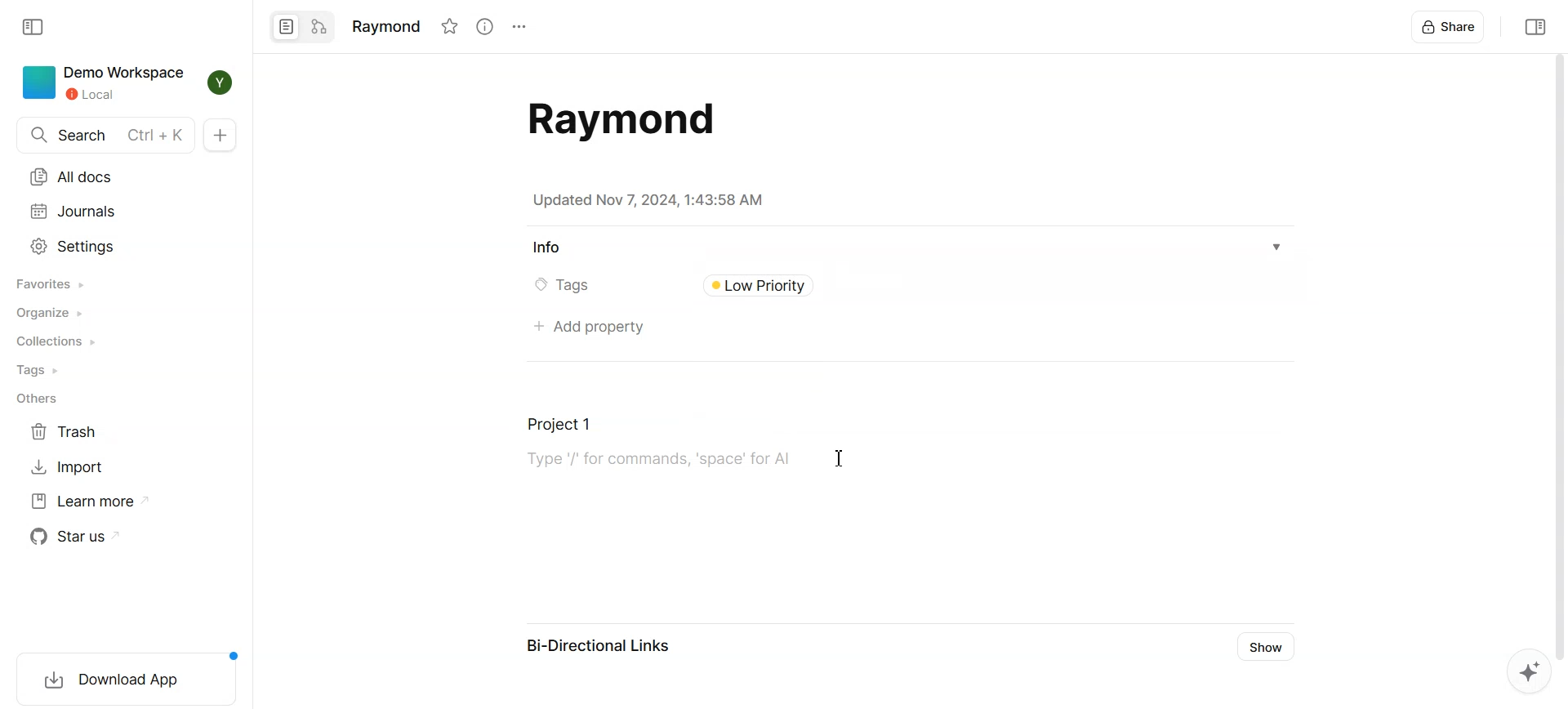 This screenshot has width=1568, height=709. I want to click on Import, so click(68, 466).